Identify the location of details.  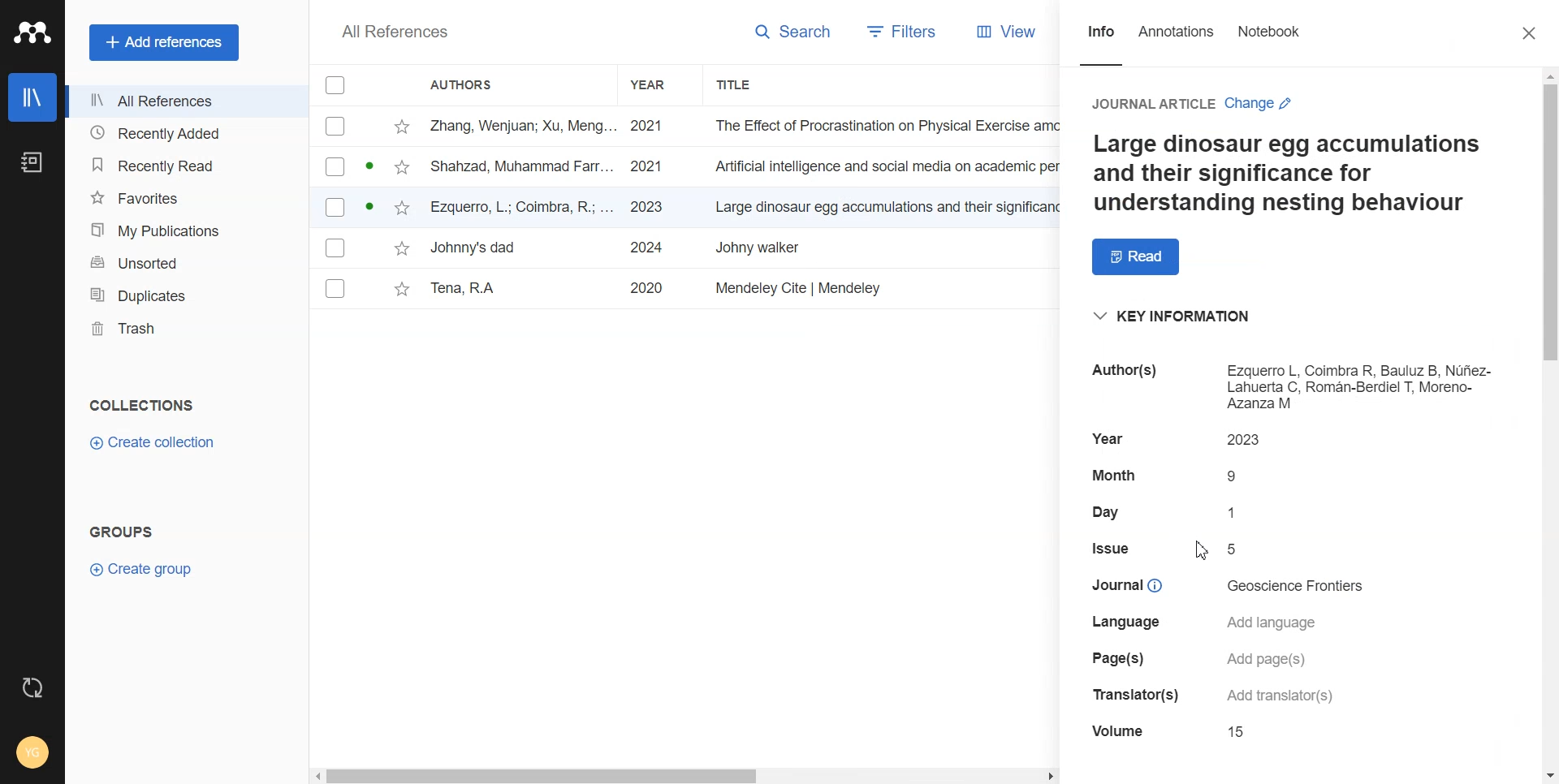
(1235, 549).